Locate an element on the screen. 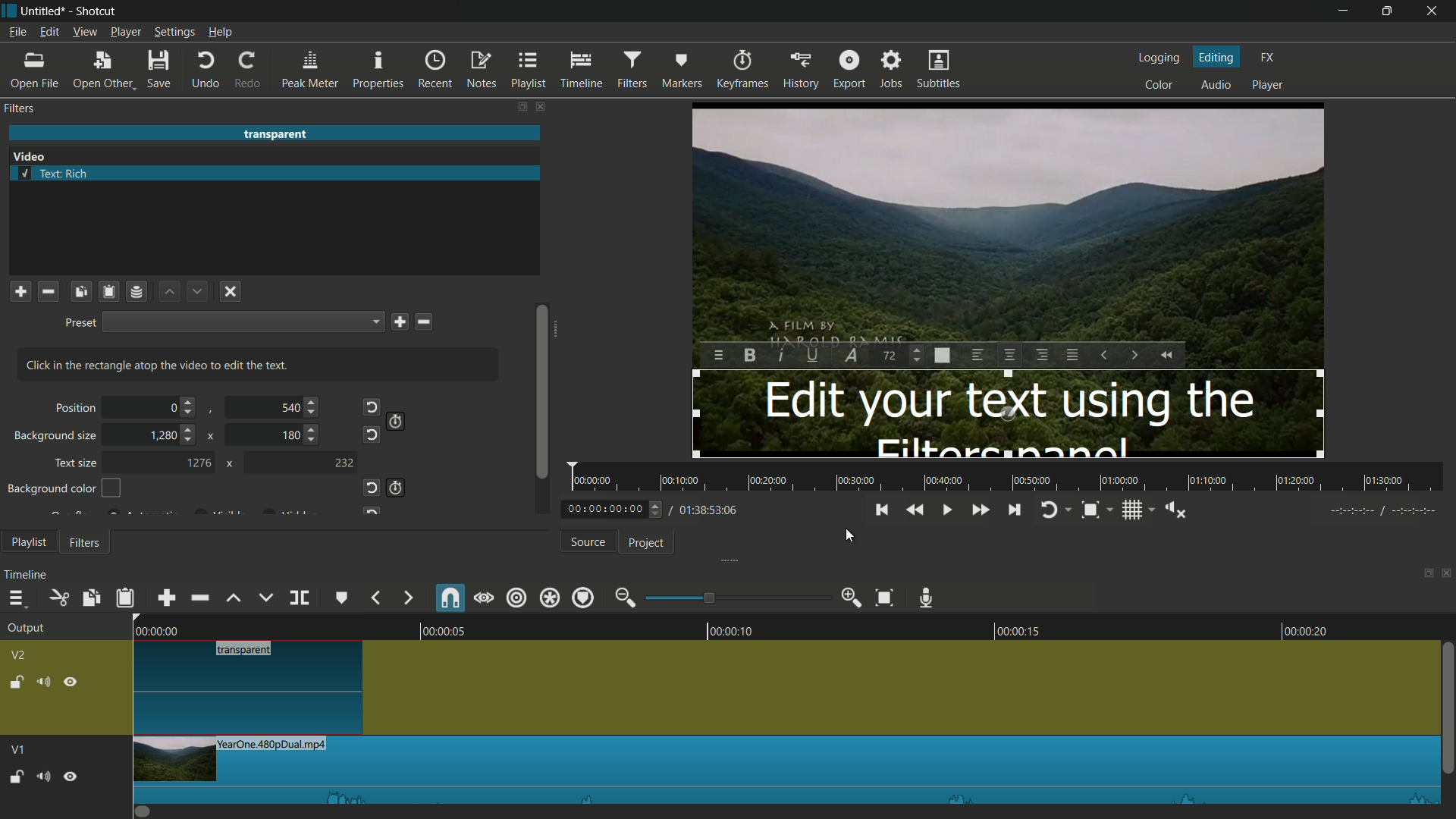 This screenshot has height=819, width=1456. open other is located at coordinates (104, 71).